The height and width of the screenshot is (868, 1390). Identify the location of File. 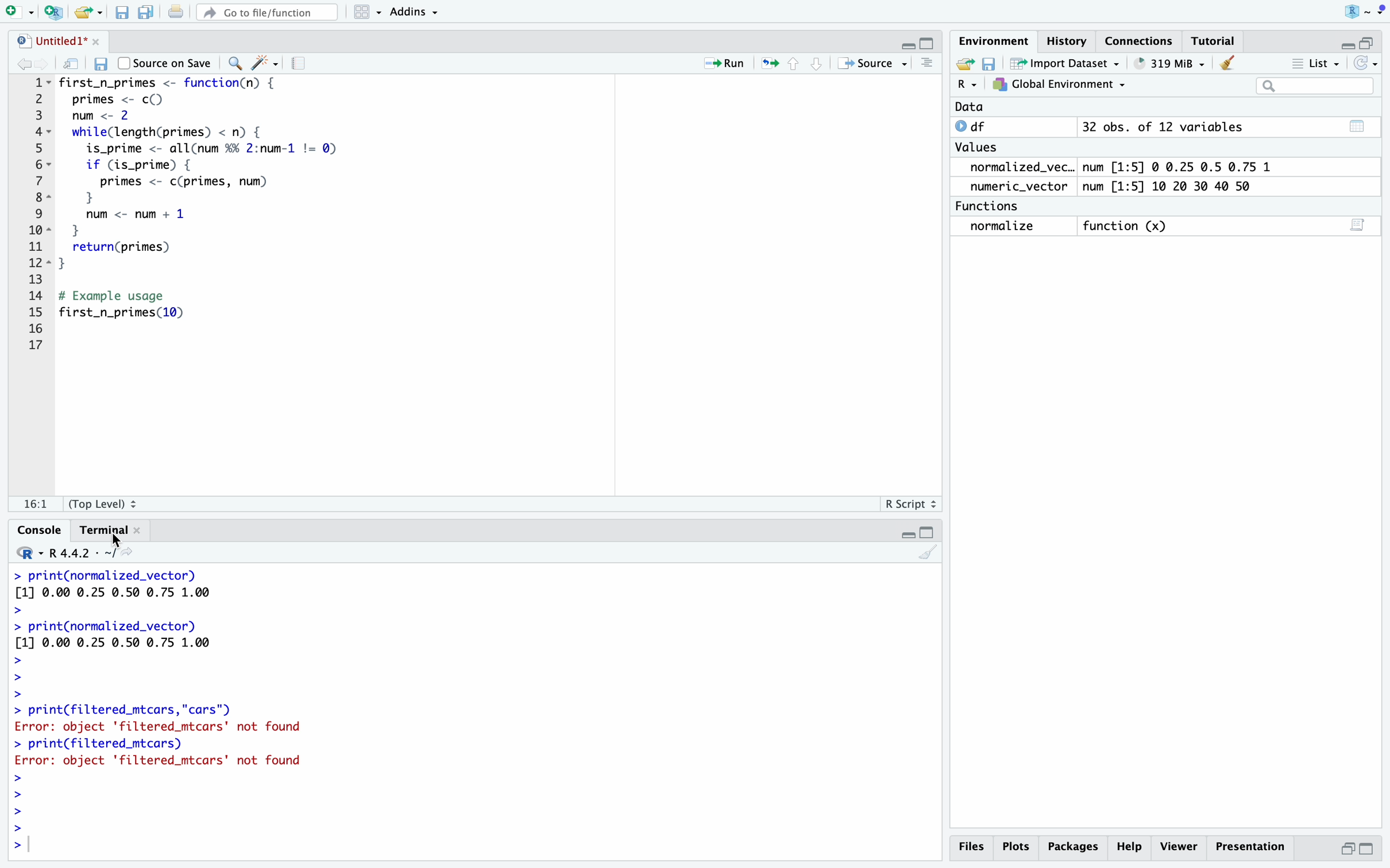
(119, 13).